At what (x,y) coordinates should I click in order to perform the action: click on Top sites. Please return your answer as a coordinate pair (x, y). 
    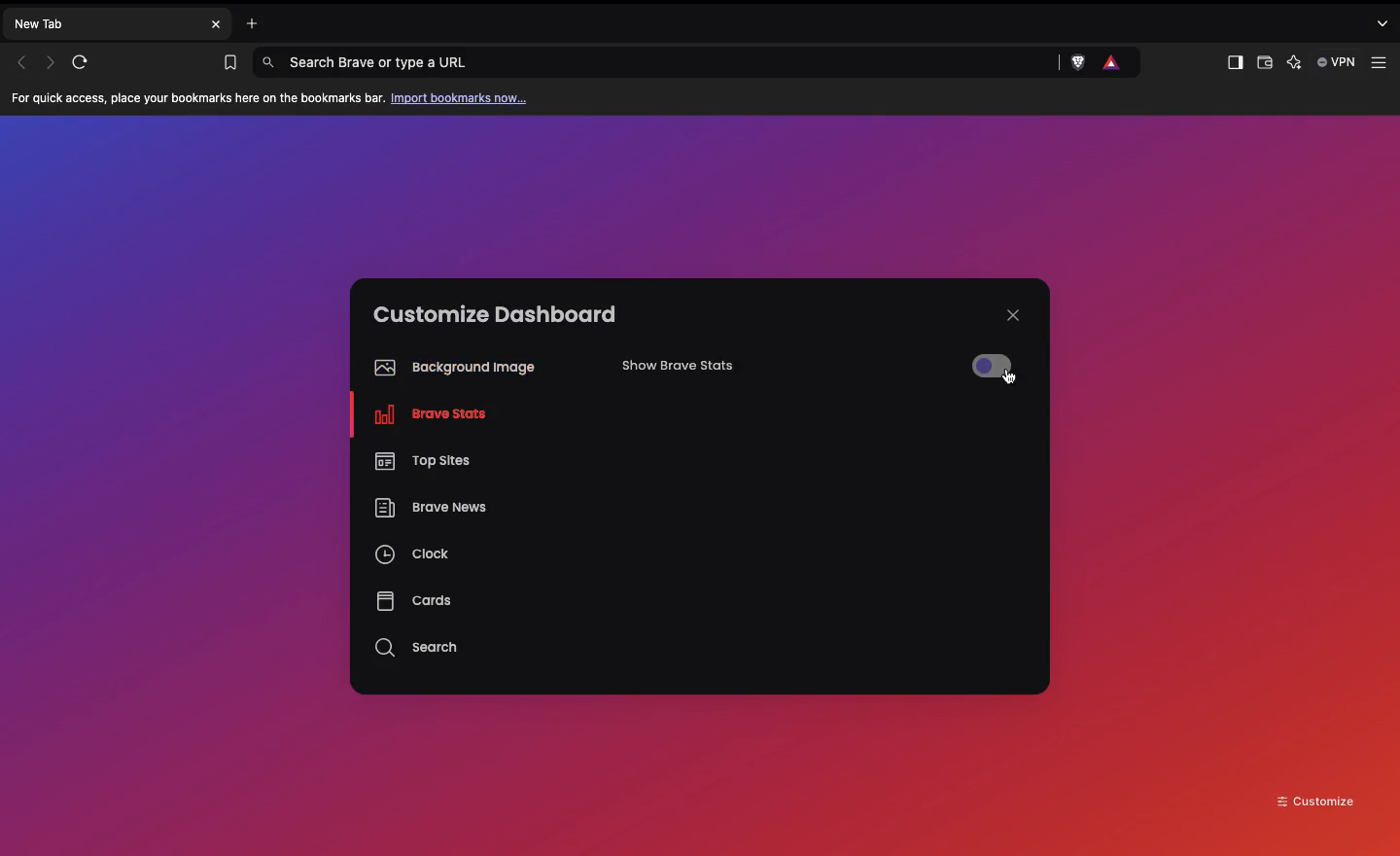
    Looking at the image, I should click on (420, 458).